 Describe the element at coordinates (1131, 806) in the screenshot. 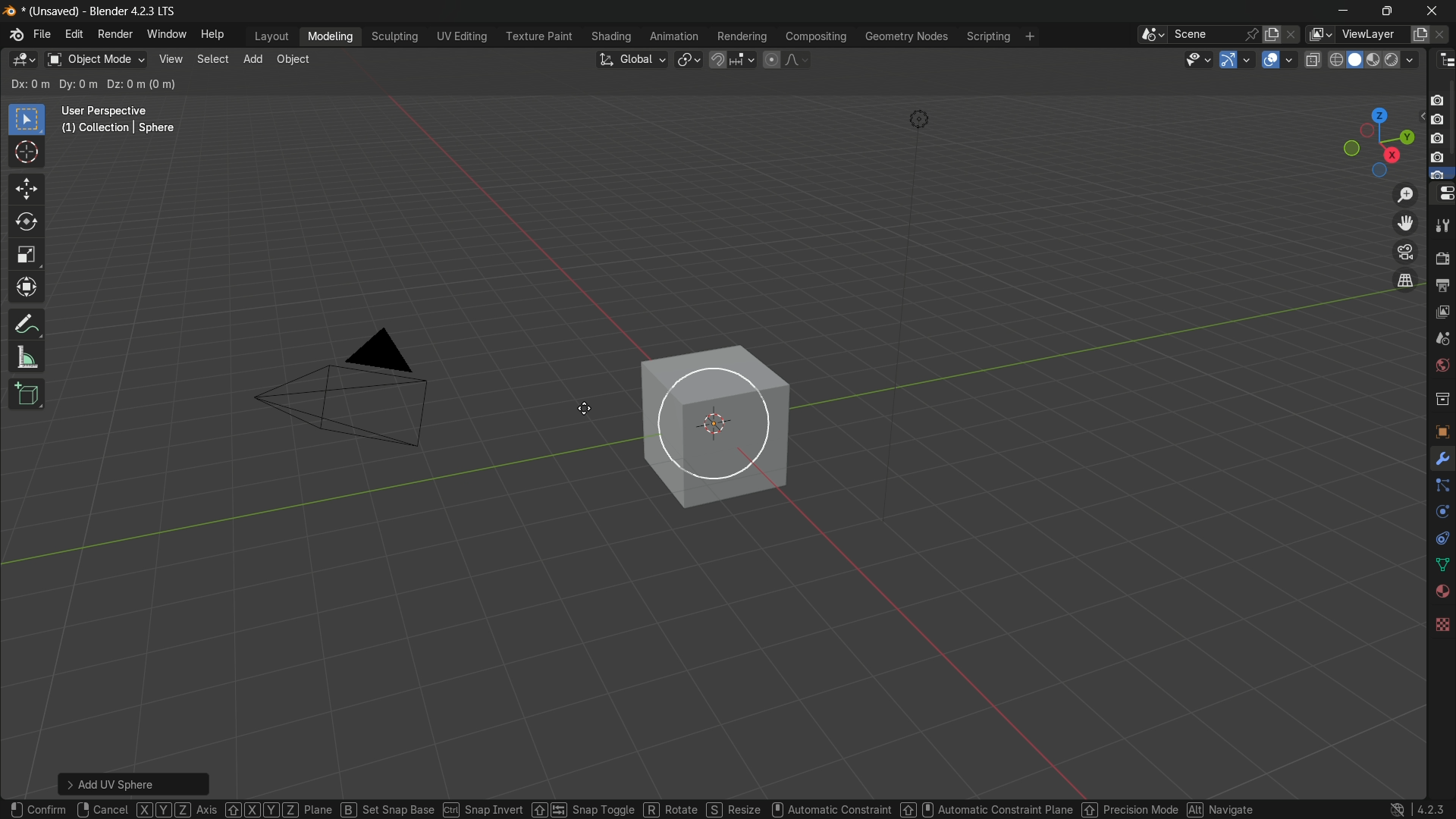

I see `Precision Mode` at that location.